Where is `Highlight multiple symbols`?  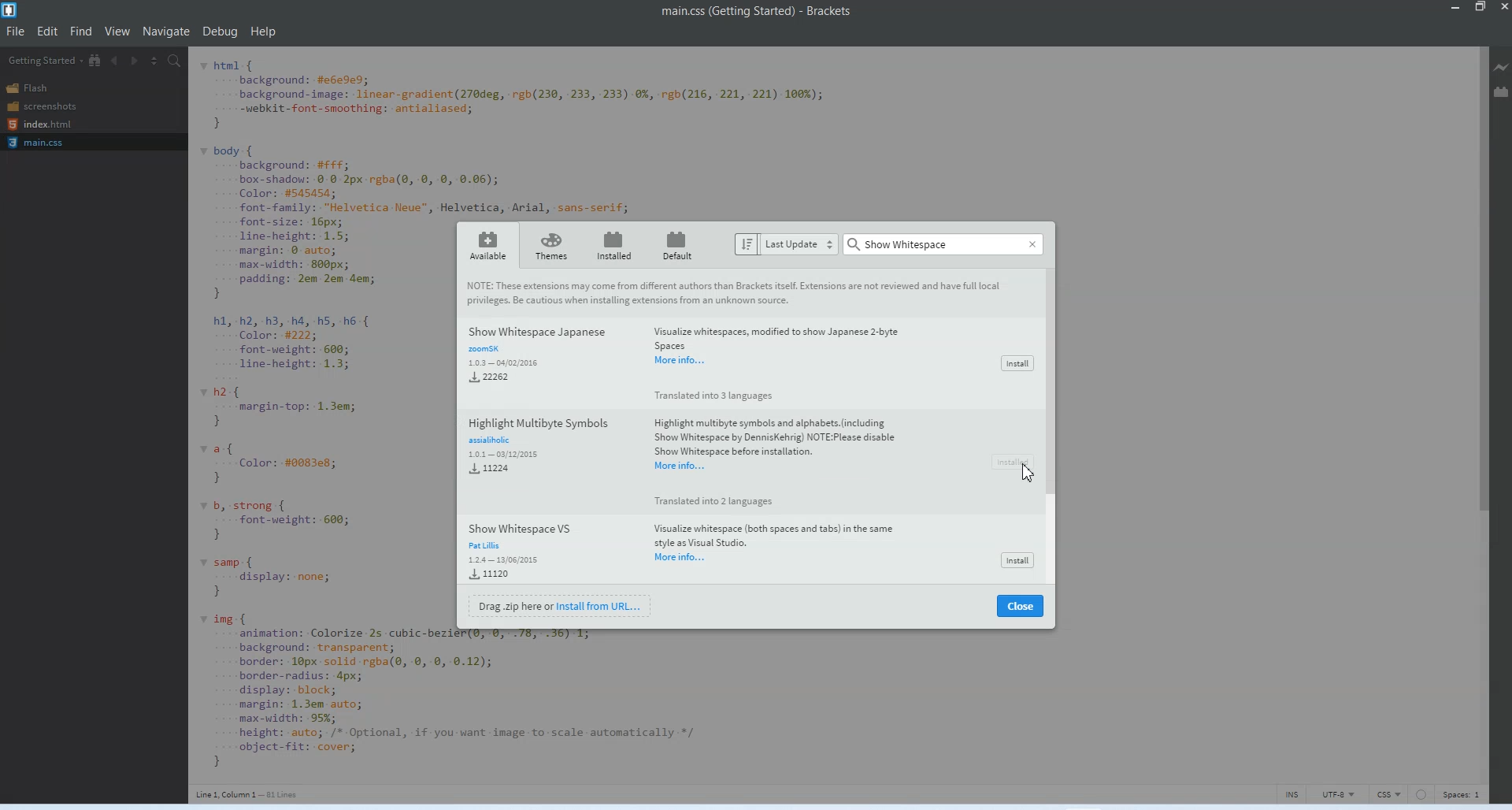 Highlight multiple symbols is located at coordinates (686, 442).